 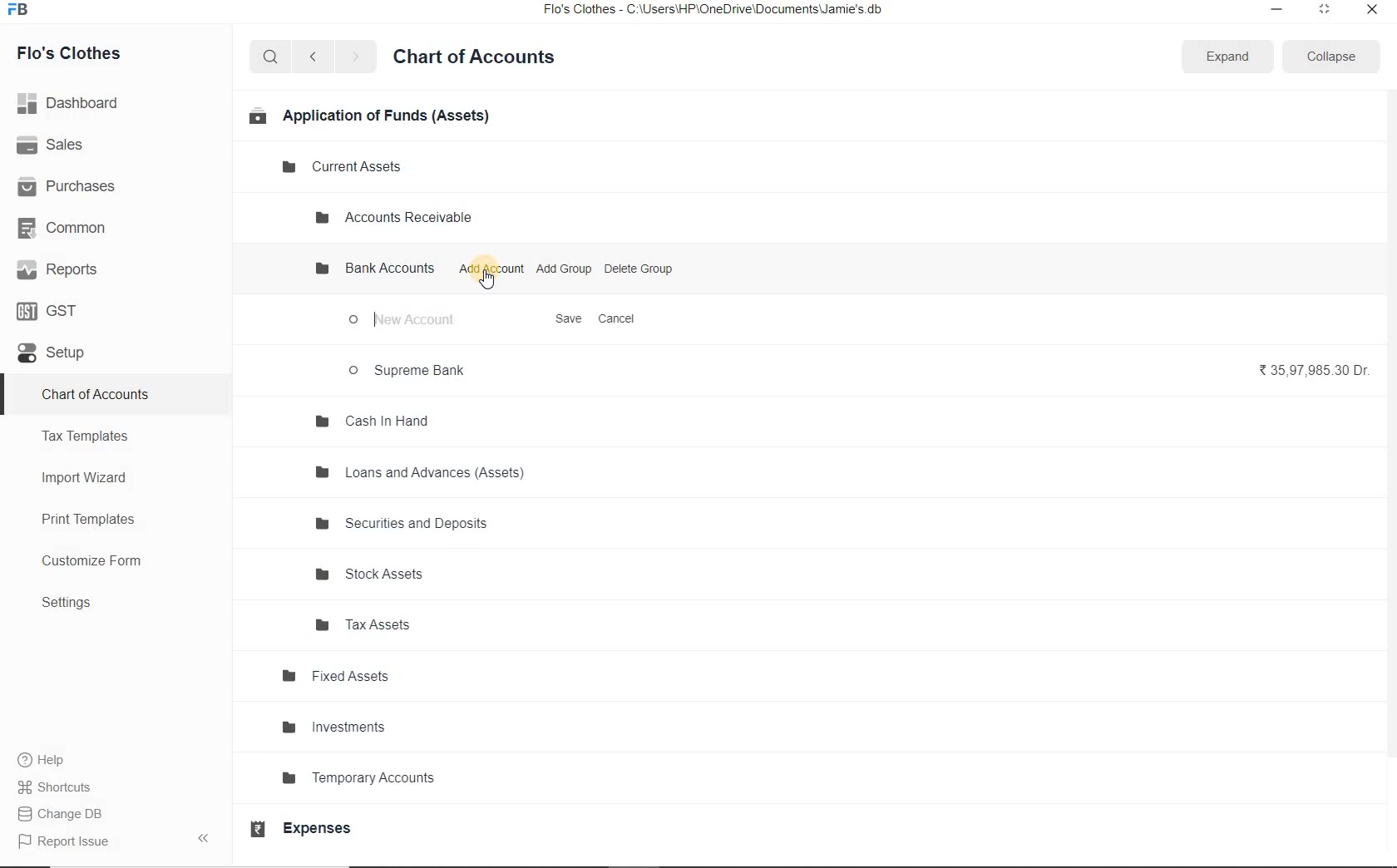 I want to click on Shortcuts, so click(x=55, y=784).